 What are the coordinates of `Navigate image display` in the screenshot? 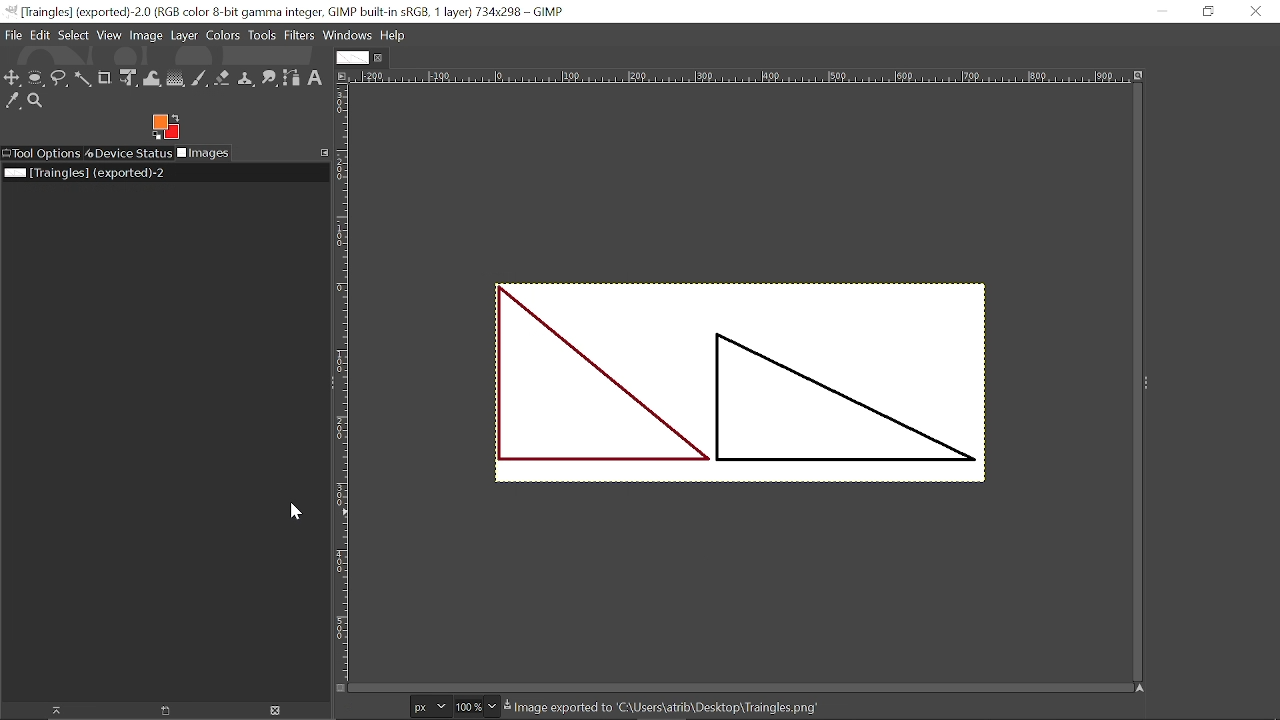 It's located at (1139, 687).